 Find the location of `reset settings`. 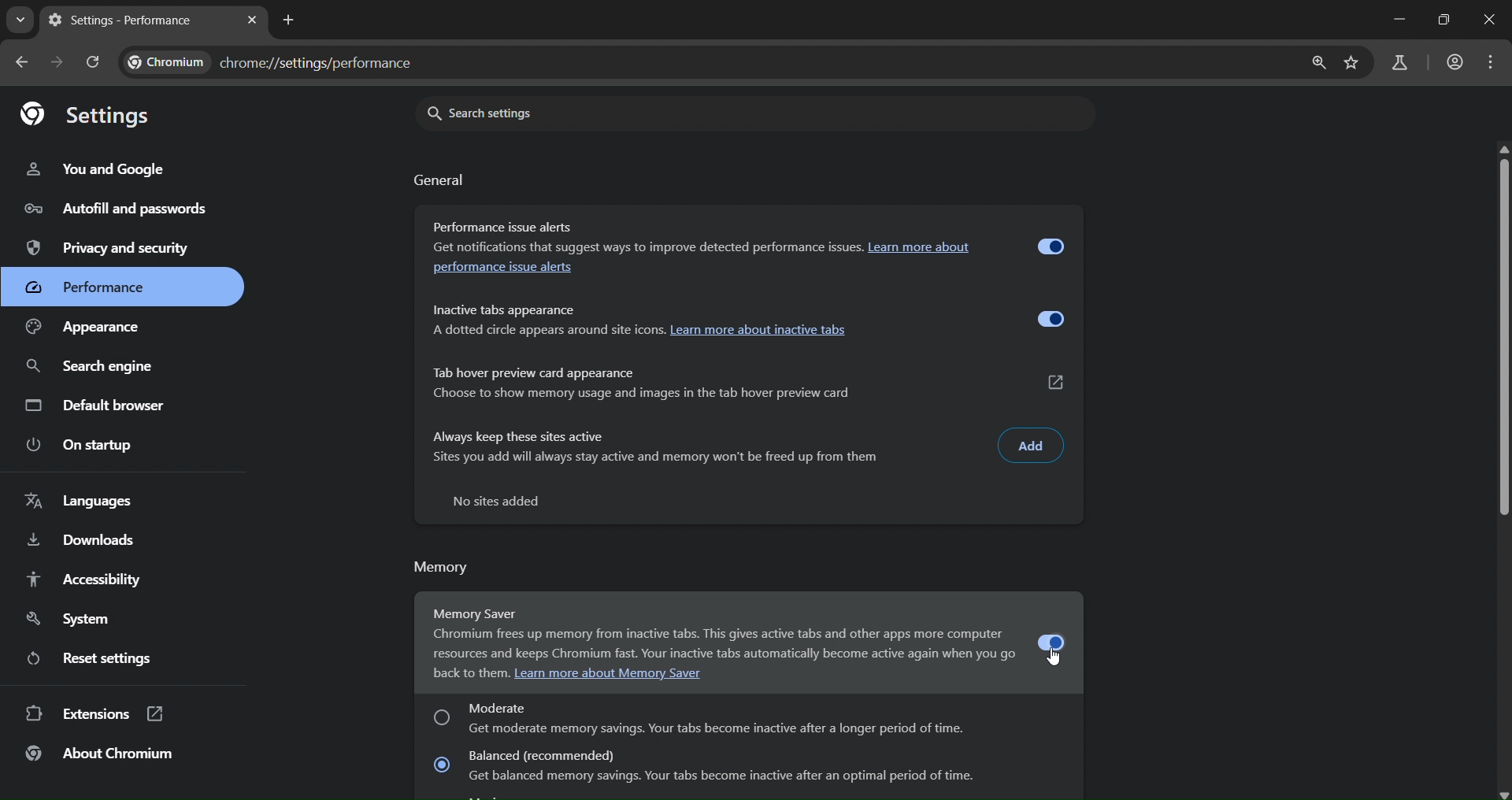

reset settings is located at coordinates (87, 658).